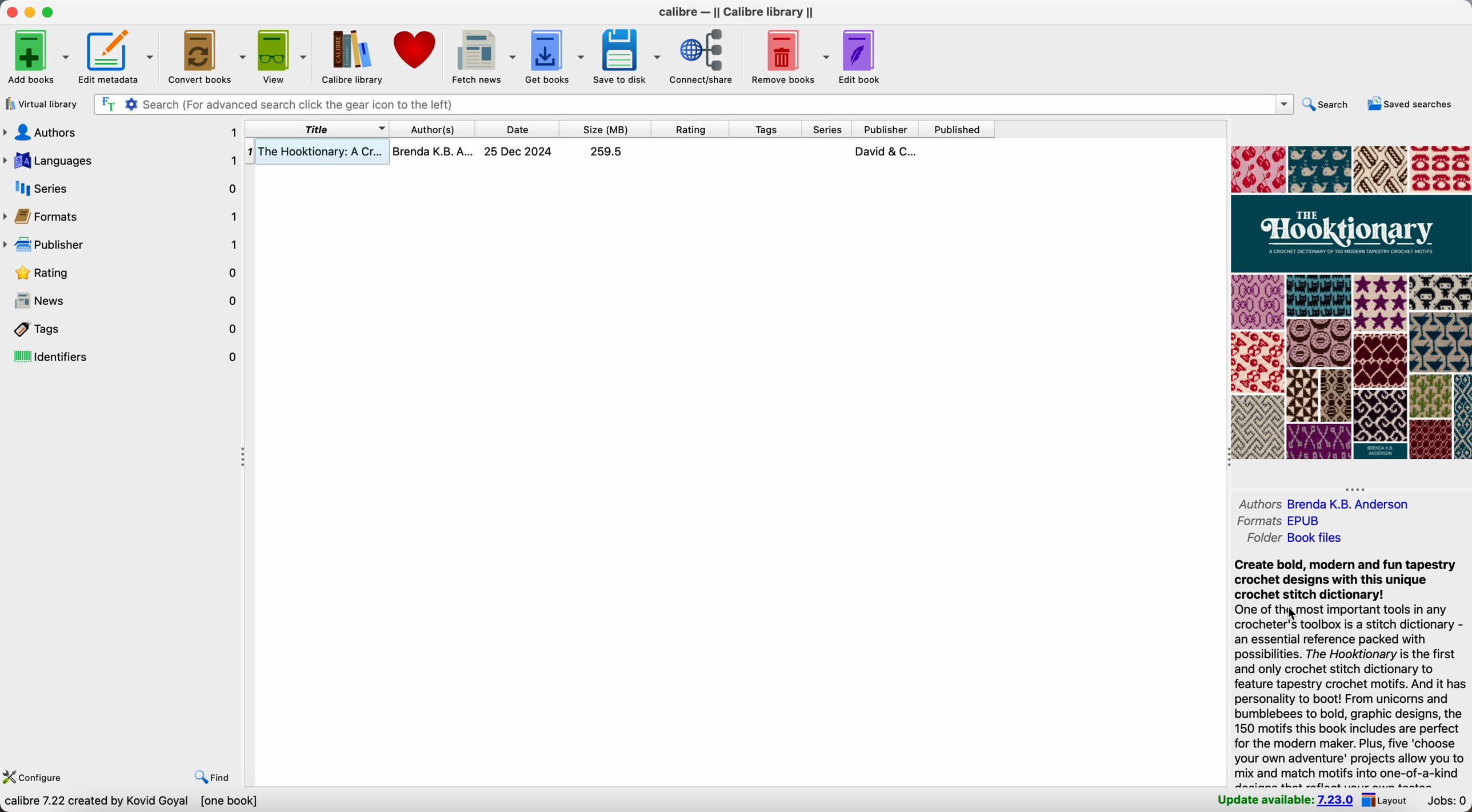  What do you see at coordinates (1448, 802) in the screenshot?
I see `jobs: 0` at bounding box center [1448, 802].